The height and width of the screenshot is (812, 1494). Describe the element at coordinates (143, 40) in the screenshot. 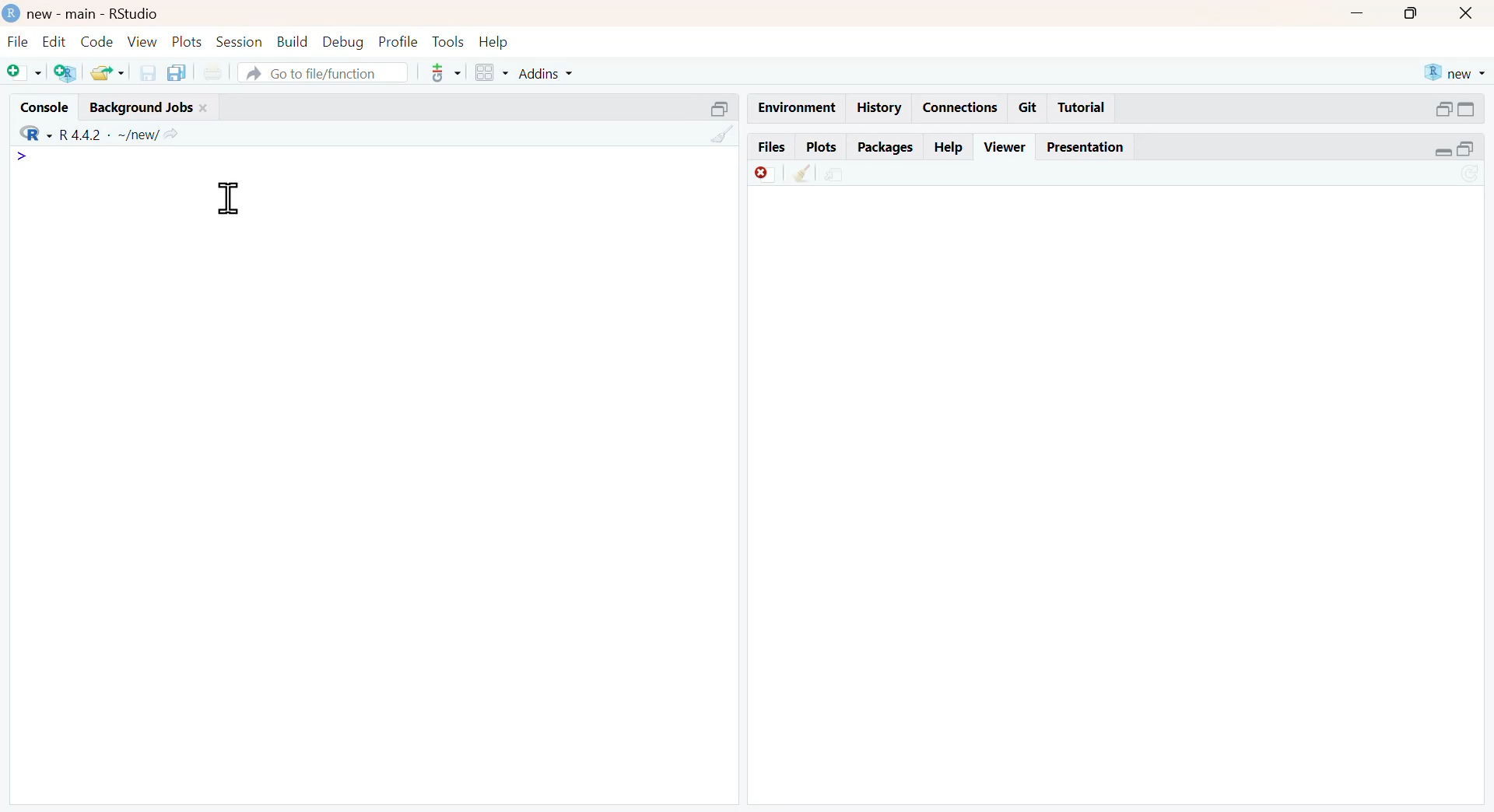

I see `view` at that location.